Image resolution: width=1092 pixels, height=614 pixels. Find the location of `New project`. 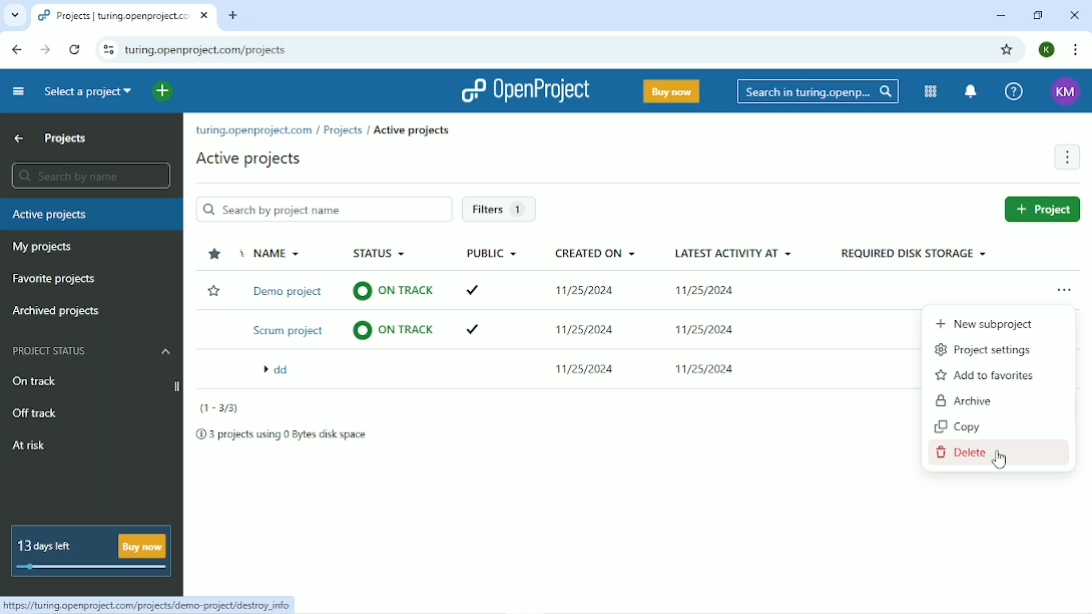

New project is located at coordinates (1040, 208).